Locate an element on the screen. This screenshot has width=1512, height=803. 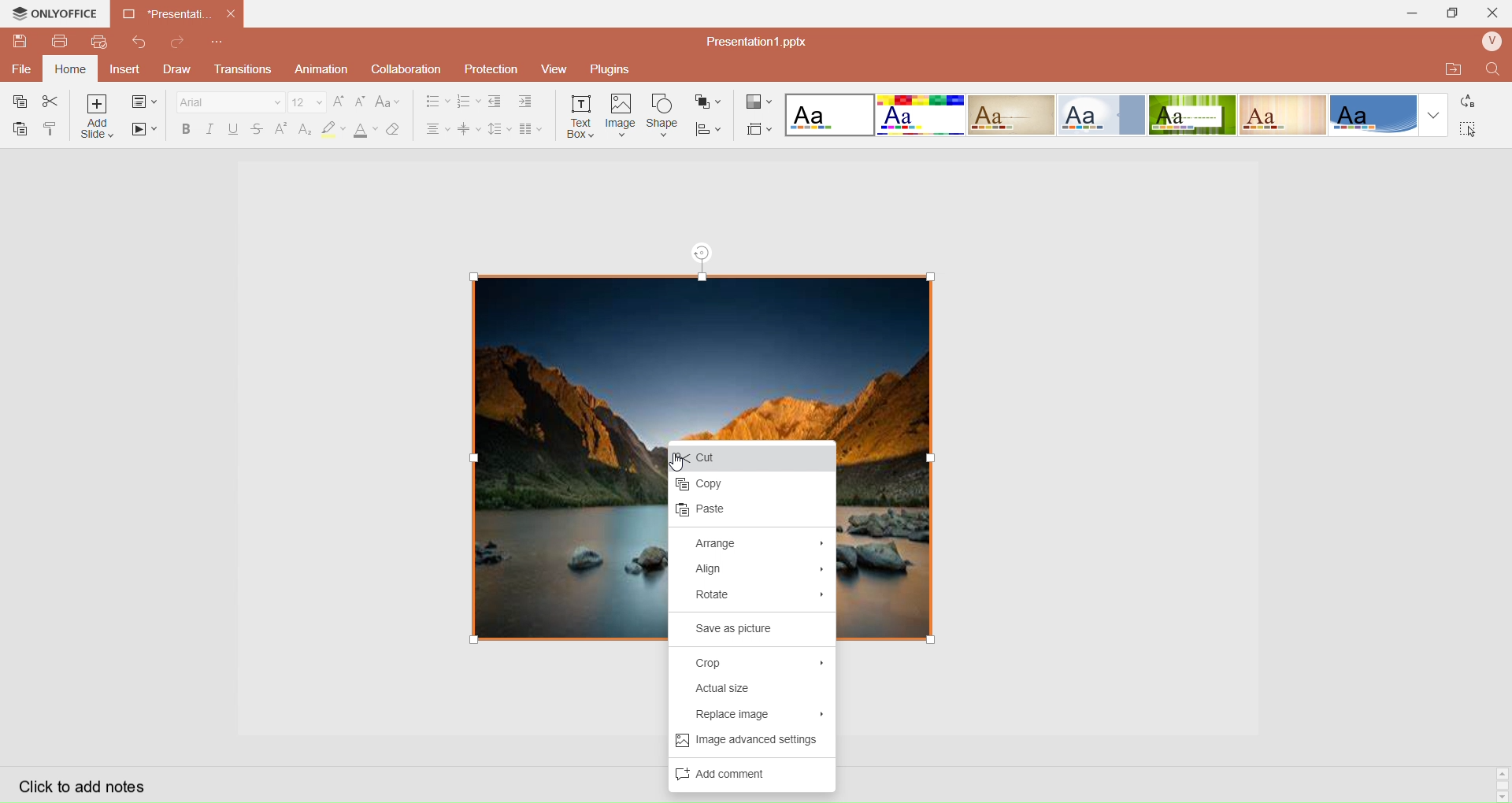
Rotate is located at coordinates (761, 593).